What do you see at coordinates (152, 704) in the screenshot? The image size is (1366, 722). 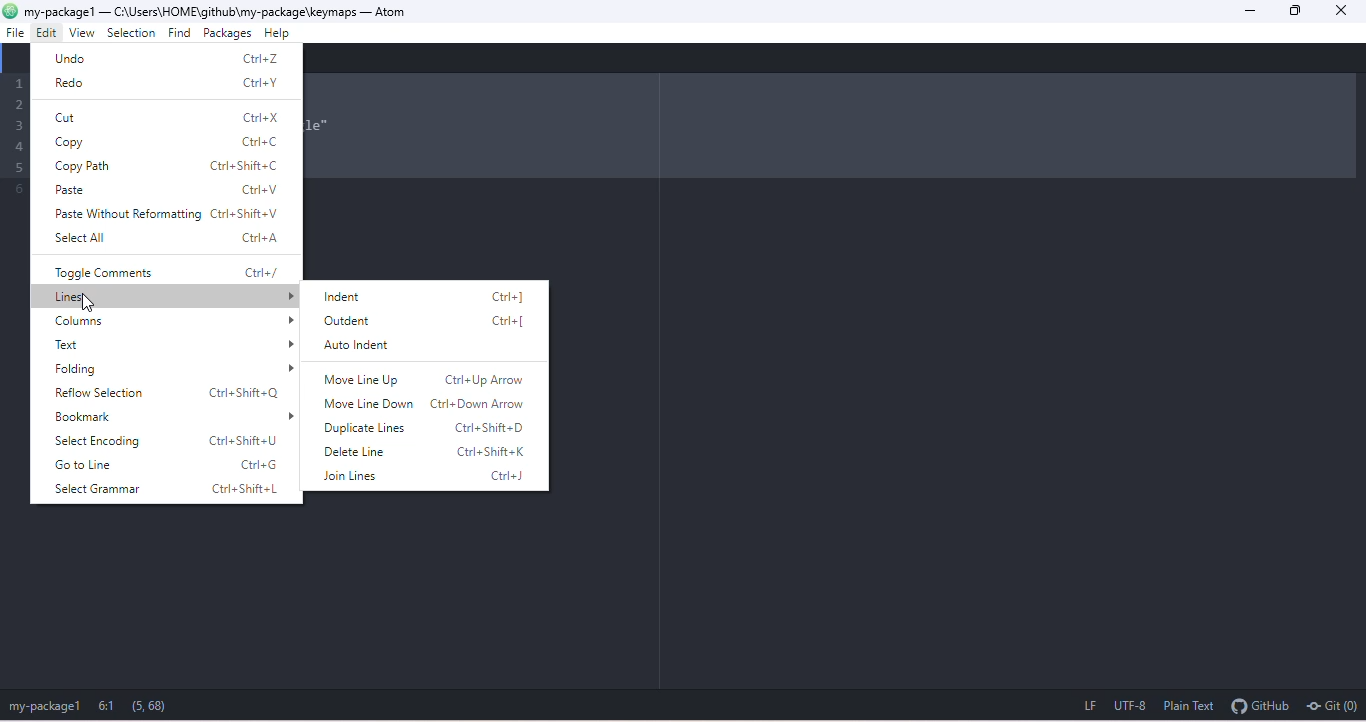 I see `(5, 68)` at bounding box center [152, 704].